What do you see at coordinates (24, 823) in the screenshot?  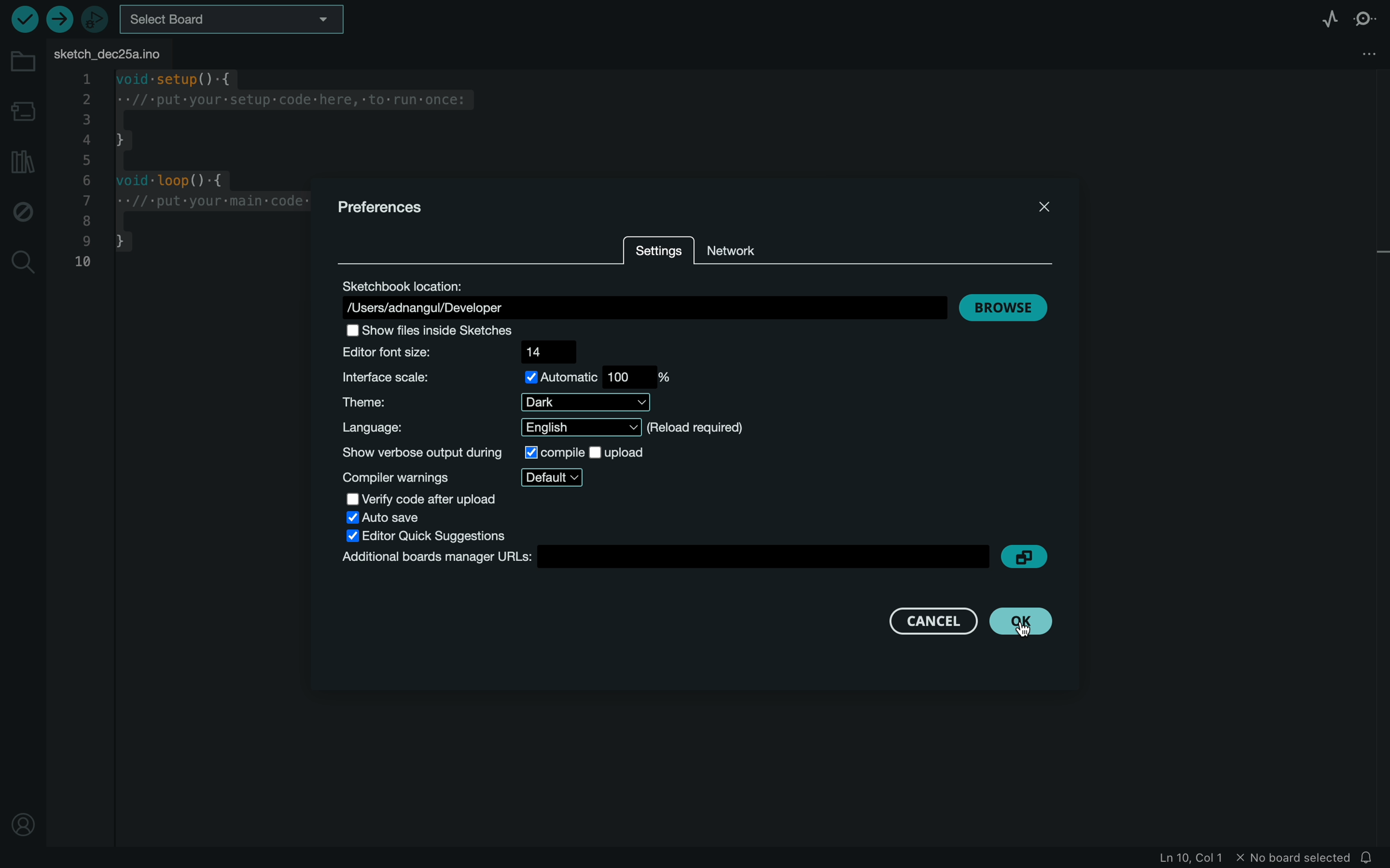 I see `profile` at bounding box center [24, 823].